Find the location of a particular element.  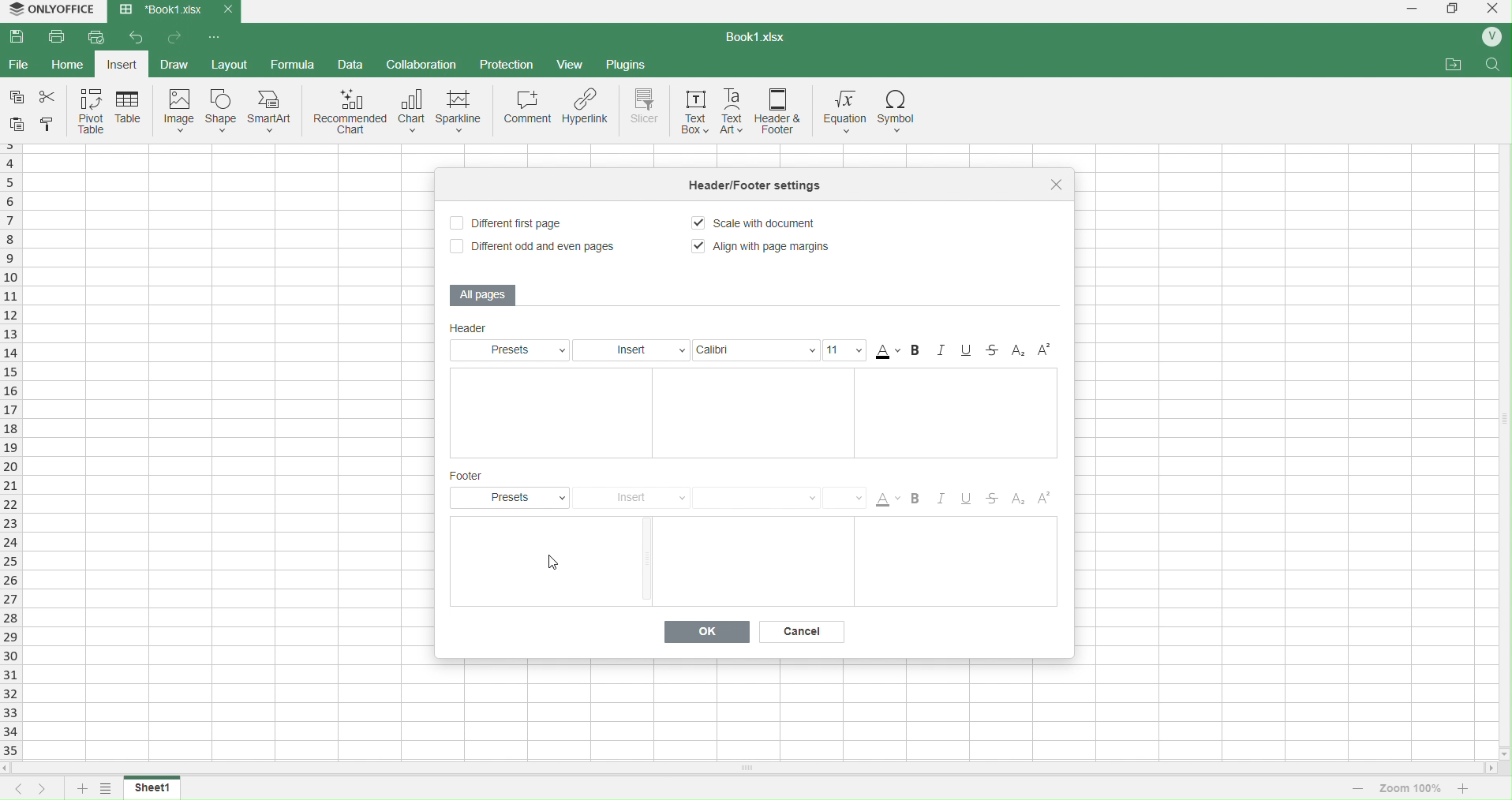

print is located at coordinates (58, 36).